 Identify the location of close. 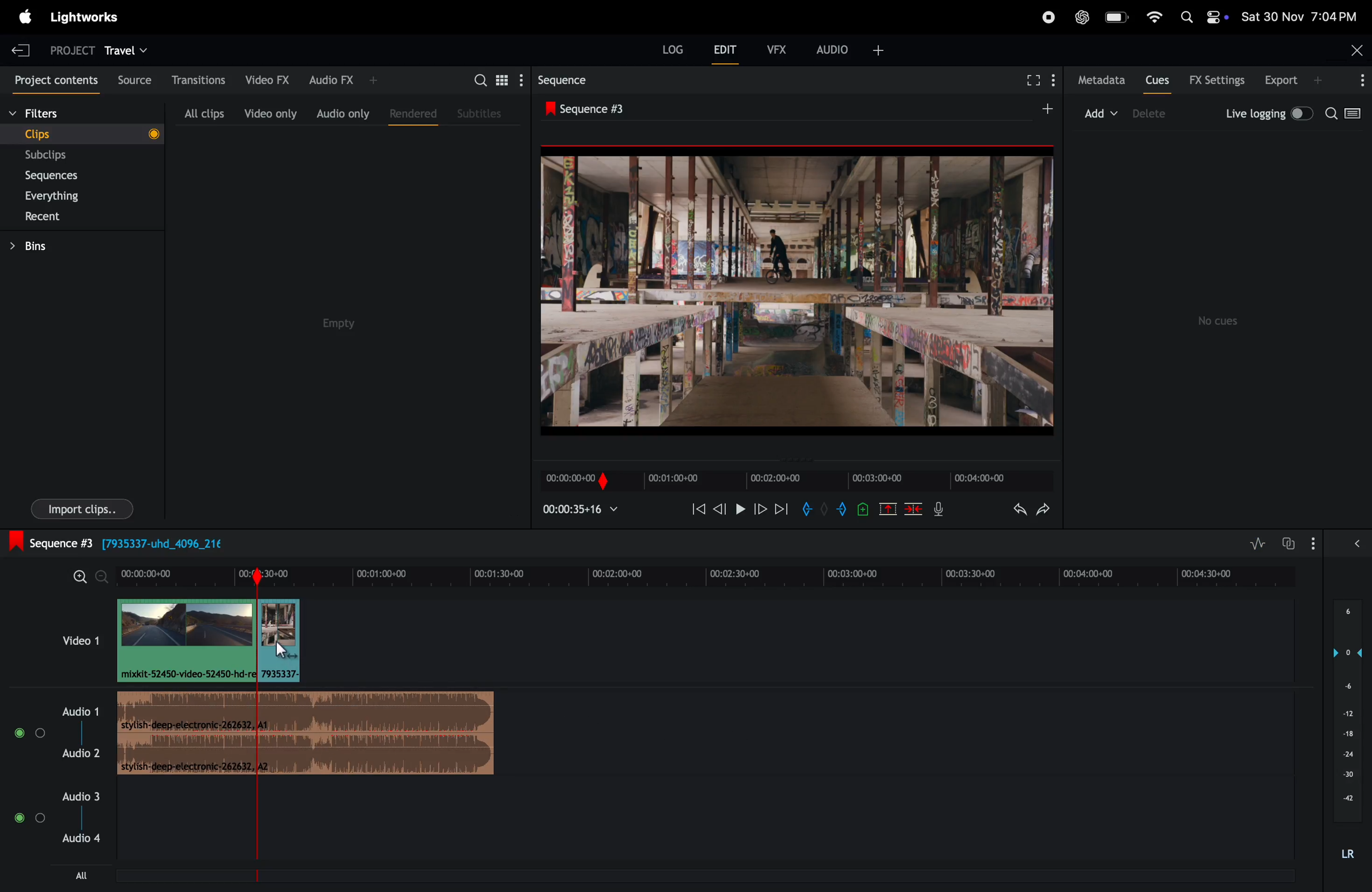
(1352, 50).